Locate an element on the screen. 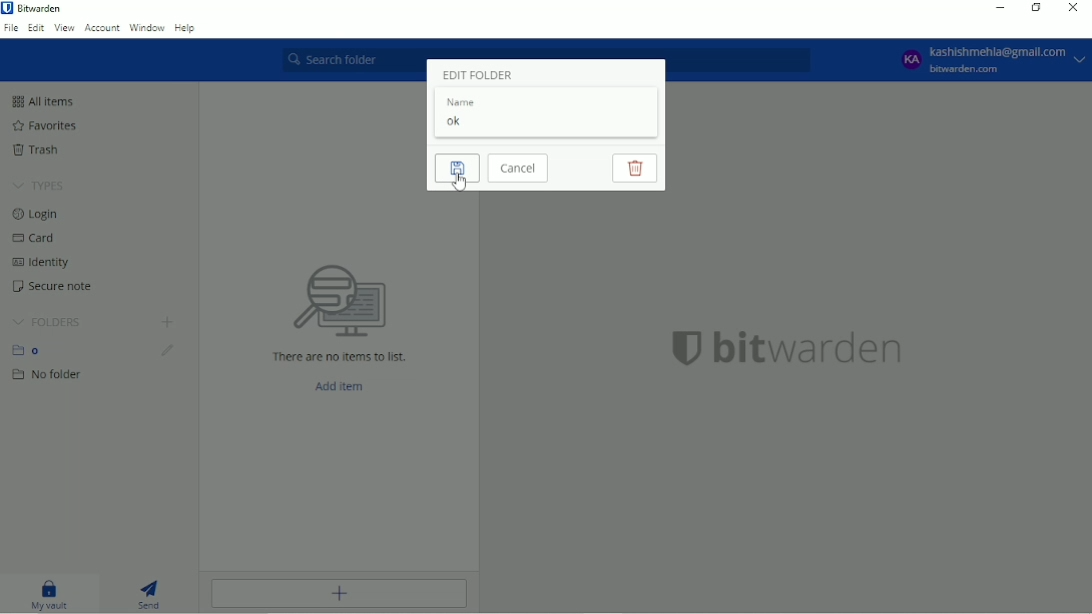  search for file vector is located at coordinates (338, 300).